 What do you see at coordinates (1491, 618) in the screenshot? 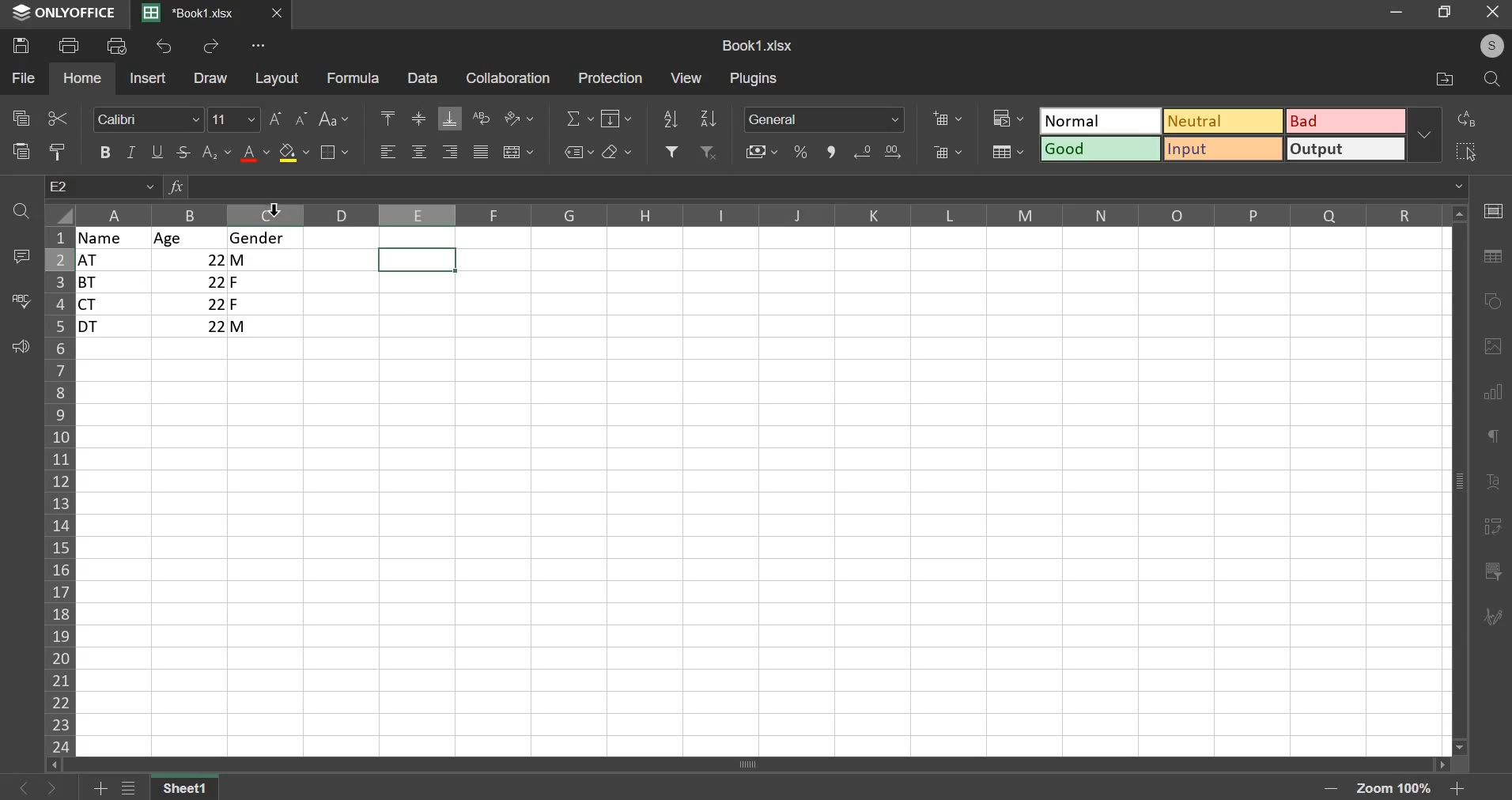
I see `signature` at bounding box center [1491, 618].